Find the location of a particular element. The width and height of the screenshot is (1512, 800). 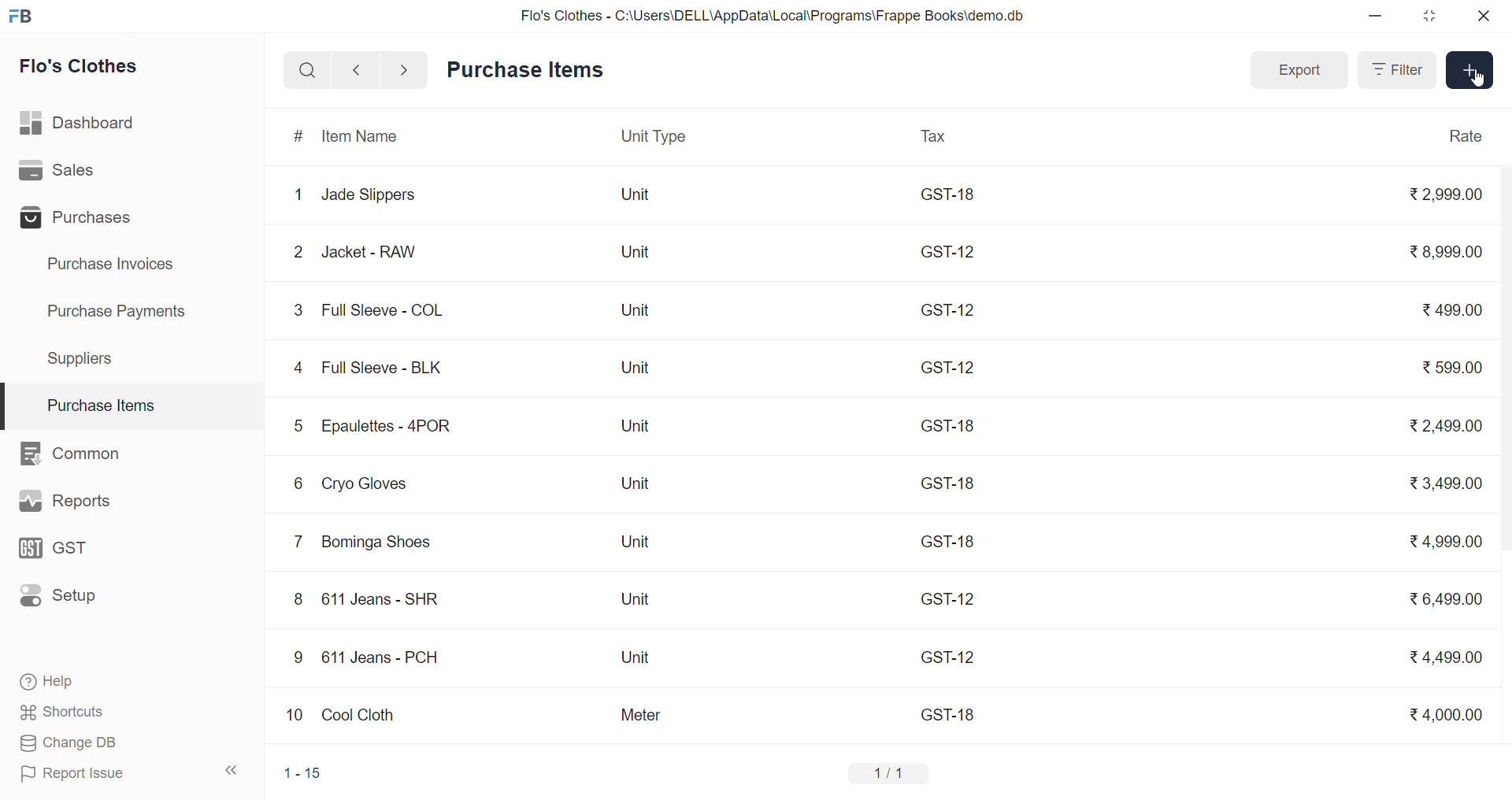

Help is located at coordinates (124, 680).